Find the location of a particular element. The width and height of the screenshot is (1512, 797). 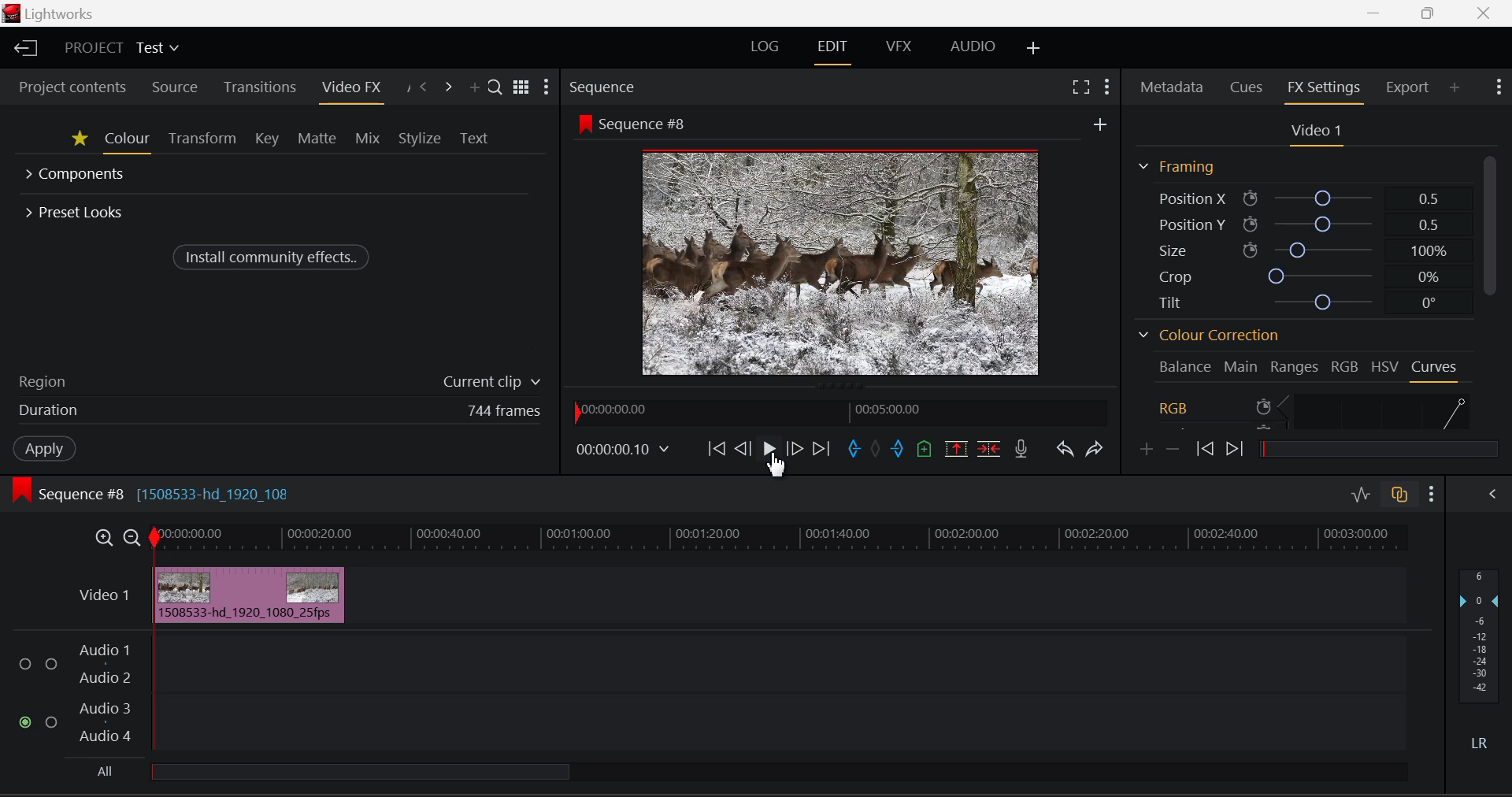

Full Screen is located at coordinates (1080, 89).